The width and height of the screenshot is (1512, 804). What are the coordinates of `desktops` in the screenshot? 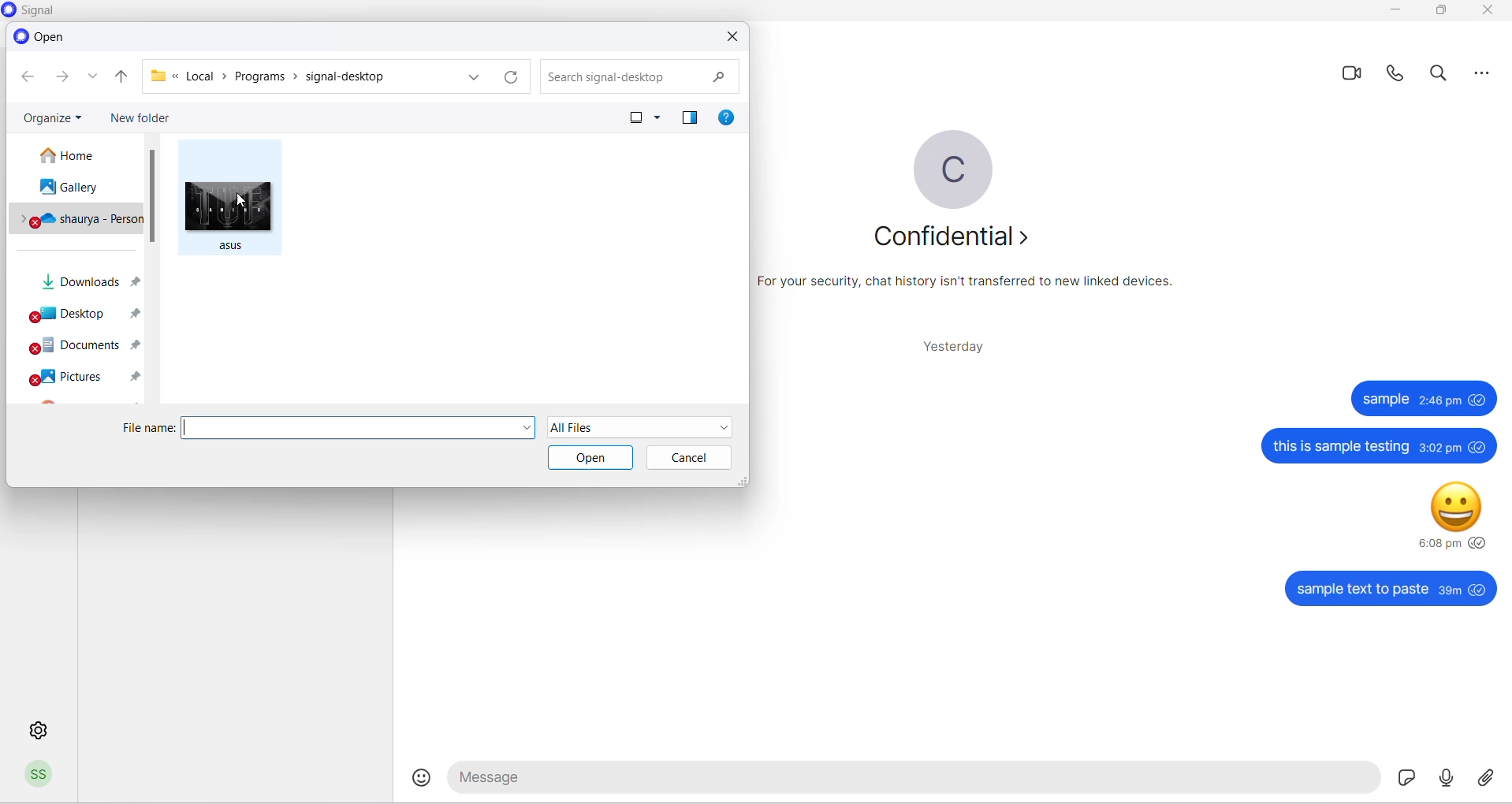 It's located at (80, 317).